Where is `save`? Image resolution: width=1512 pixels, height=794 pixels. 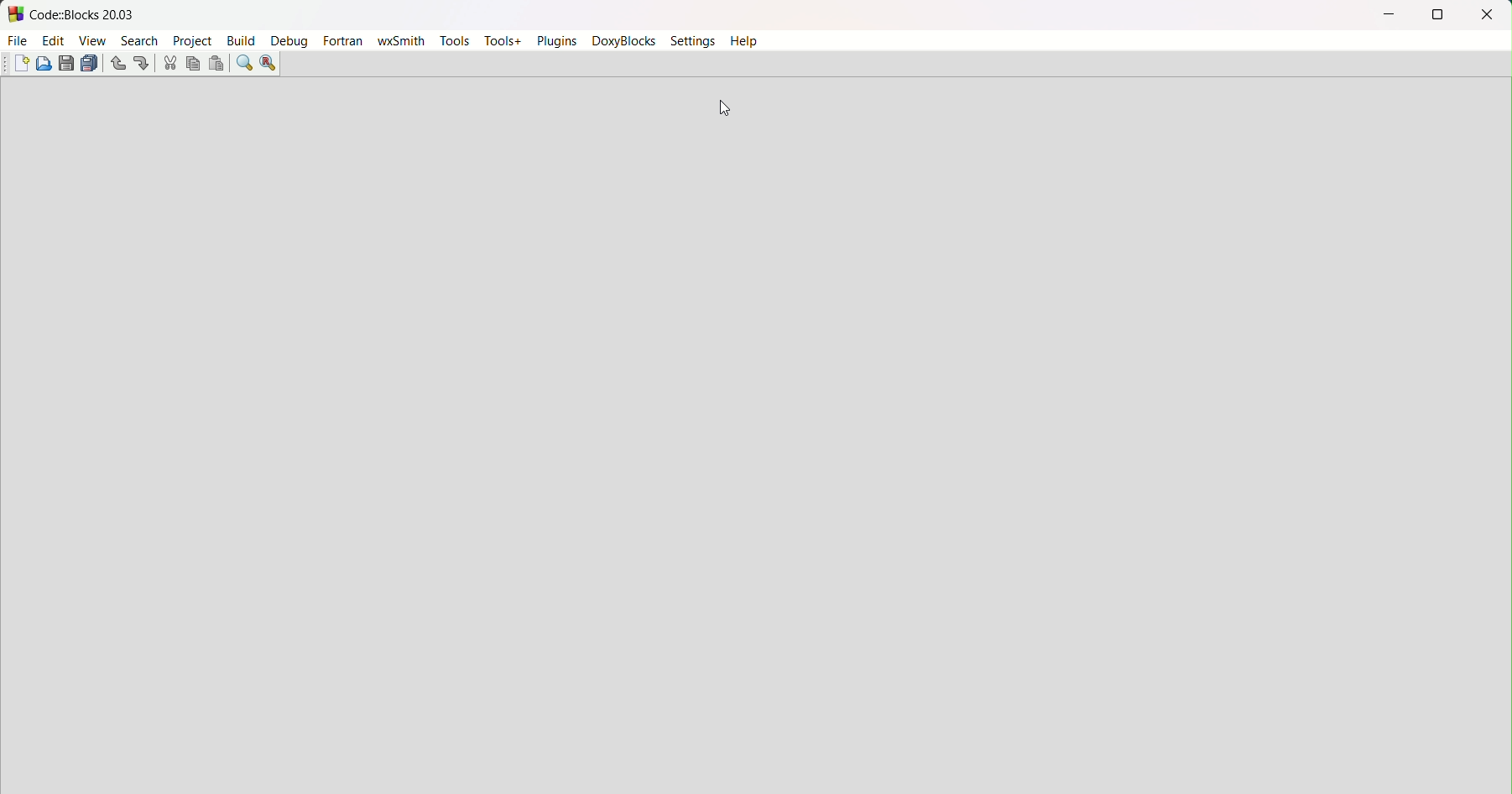
save is located at coordinates (66, 62).